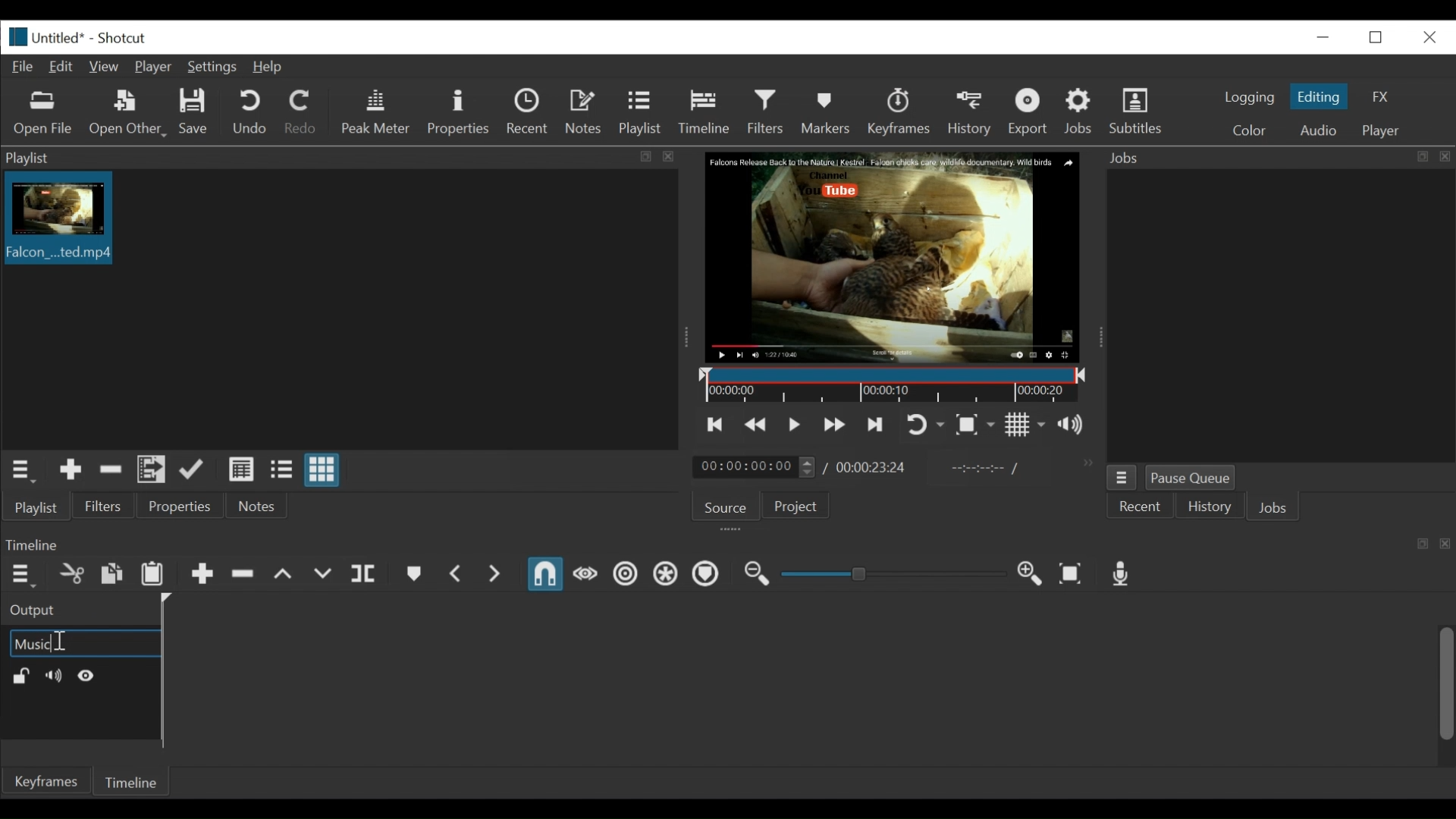  Describe the element at coordinates (243, 575) in the screenshot. I see `Ripple delete` at that location.